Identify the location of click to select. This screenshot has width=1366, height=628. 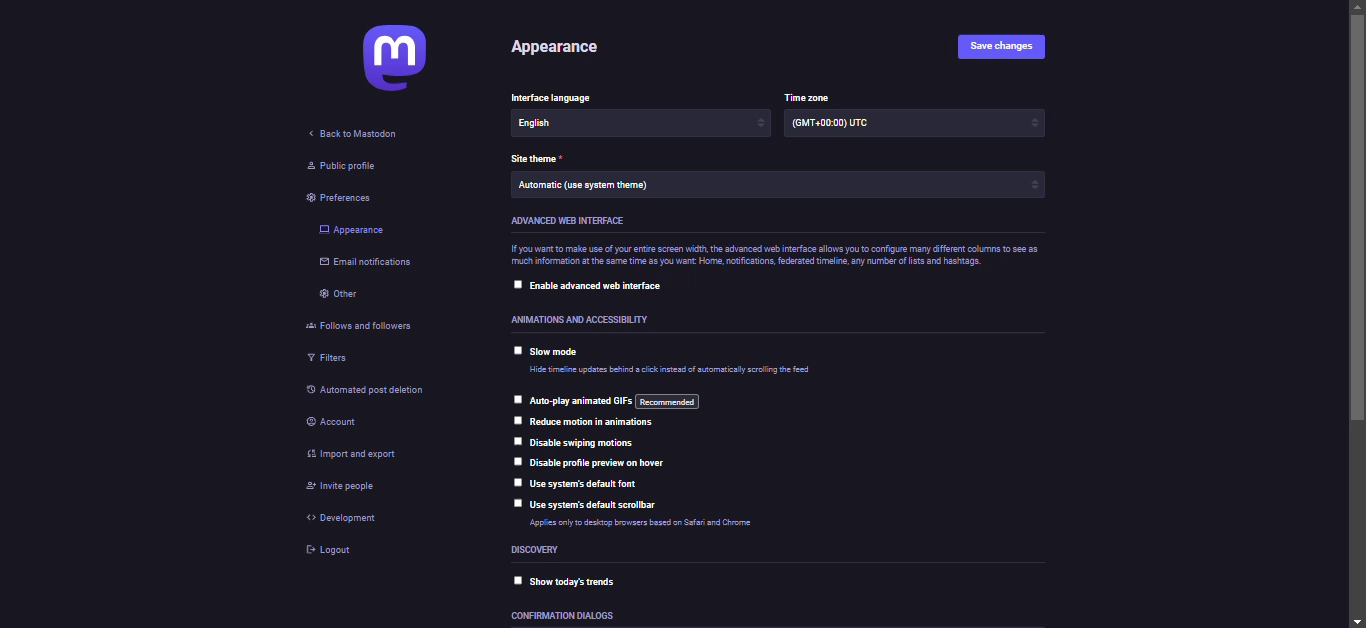
(518, 419).